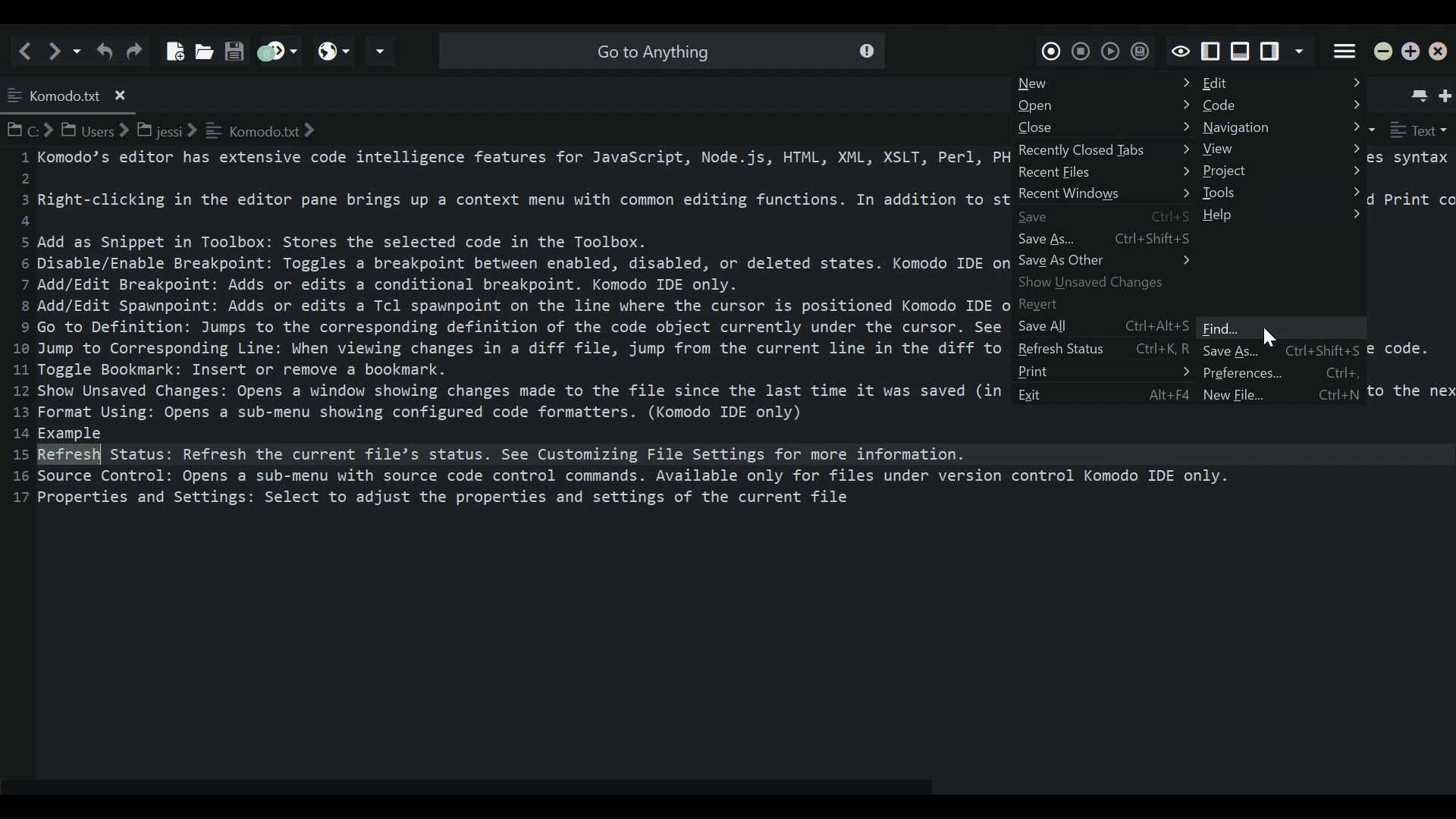 The image size is (1456, 819). I want to click on minimize, so click(1385, 52).